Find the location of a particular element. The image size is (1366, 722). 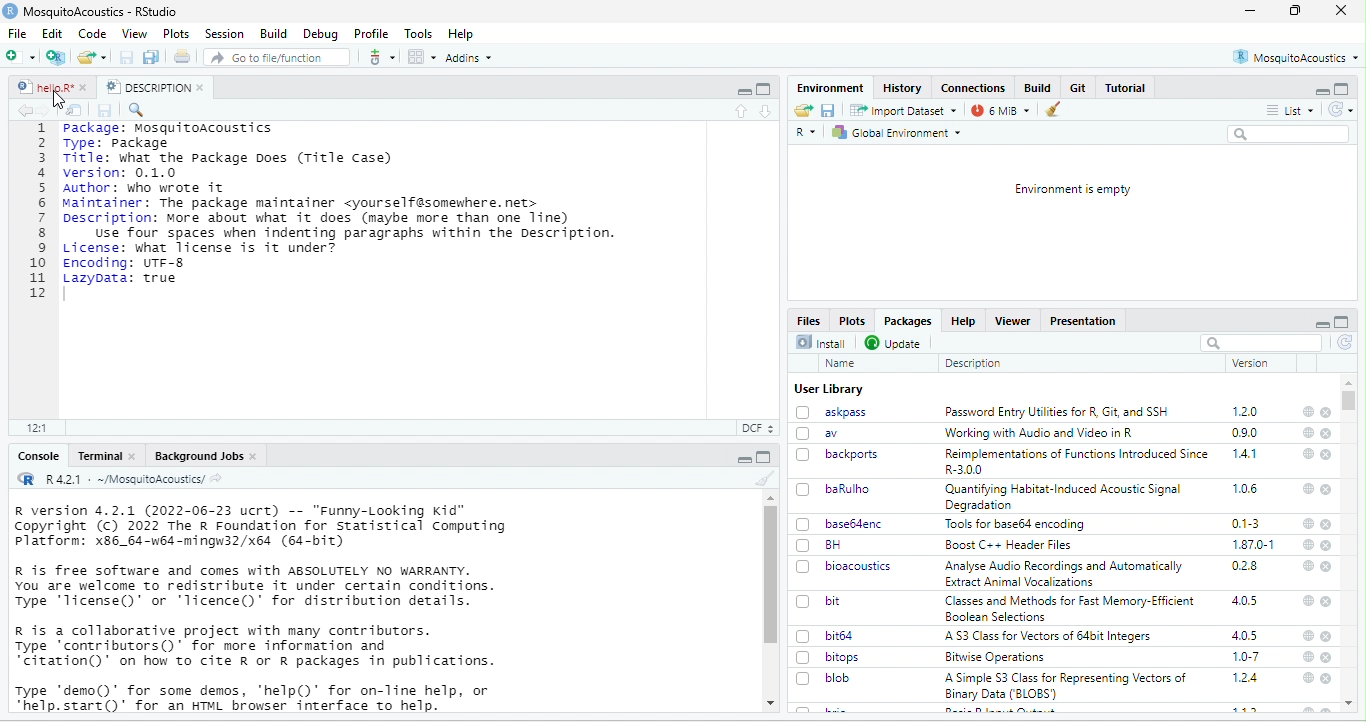

R is located at coordinates (806, 134).